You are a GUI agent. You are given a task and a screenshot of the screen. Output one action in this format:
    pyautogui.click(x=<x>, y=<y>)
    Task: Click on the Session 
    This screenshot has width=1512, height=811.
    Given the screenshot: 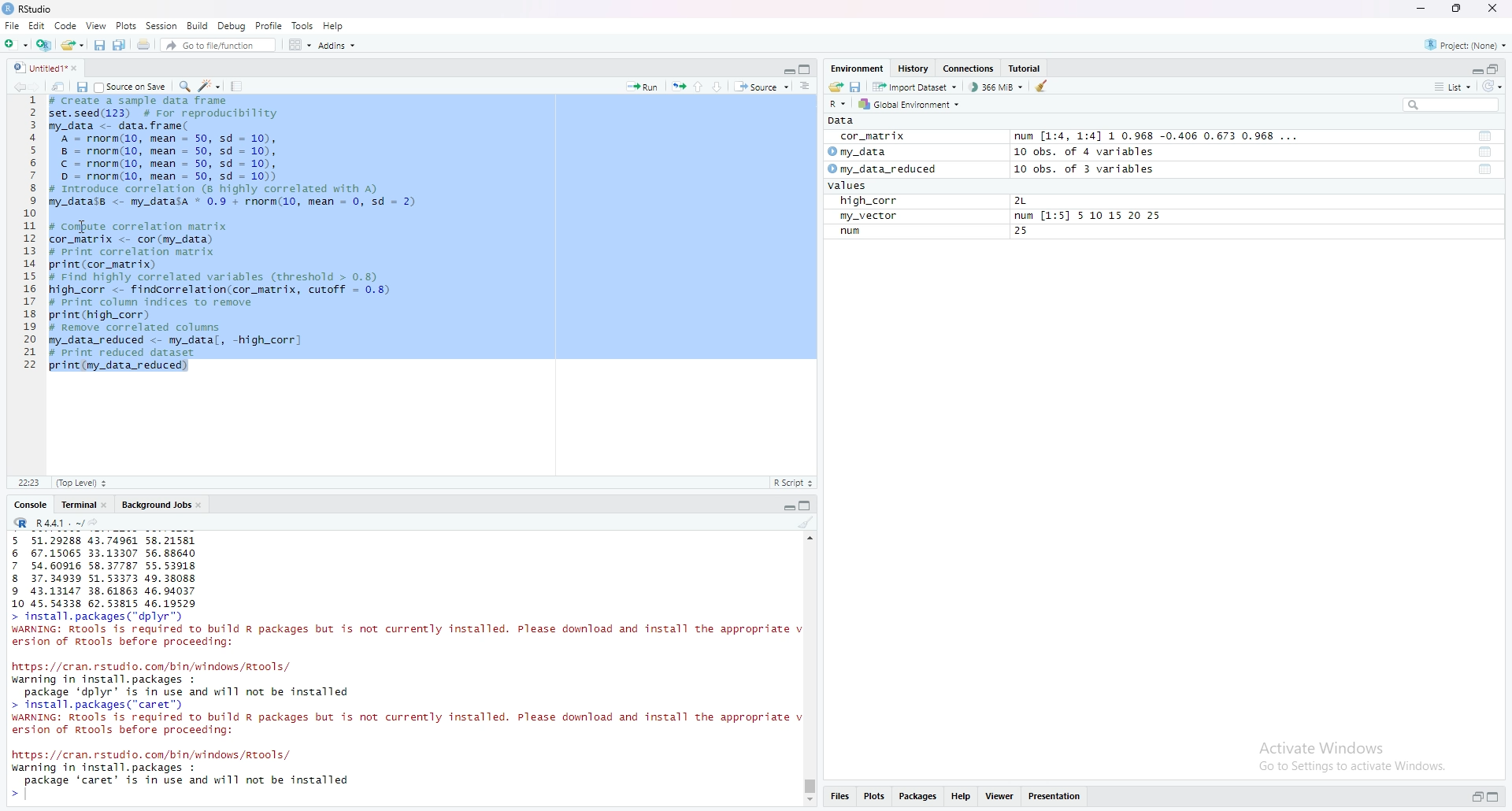 What is the action you would take?
    pyautogui.click(x=162, y=26)
    